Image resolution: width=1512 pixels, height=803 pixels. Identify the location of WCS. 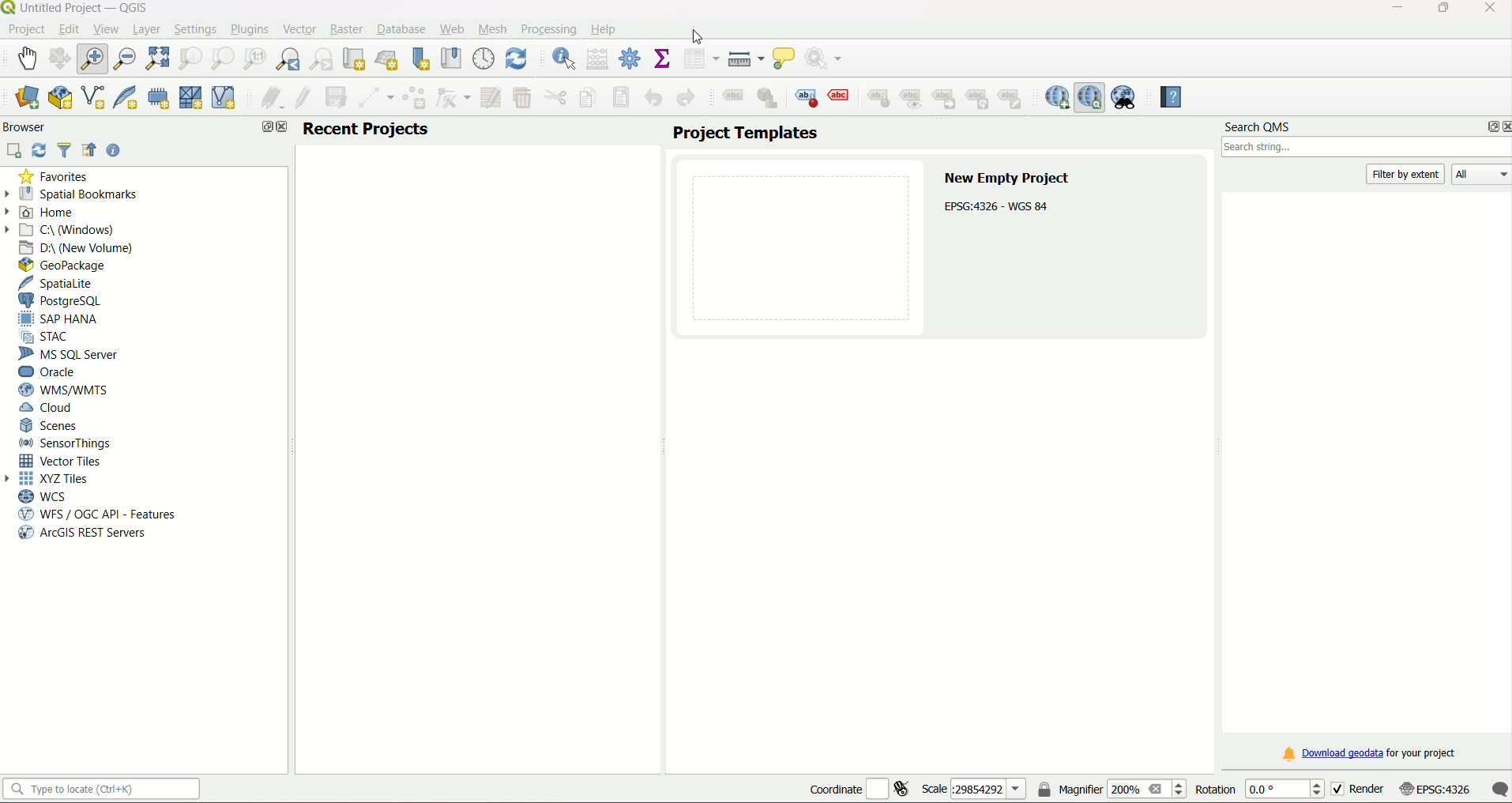
(42, 496).